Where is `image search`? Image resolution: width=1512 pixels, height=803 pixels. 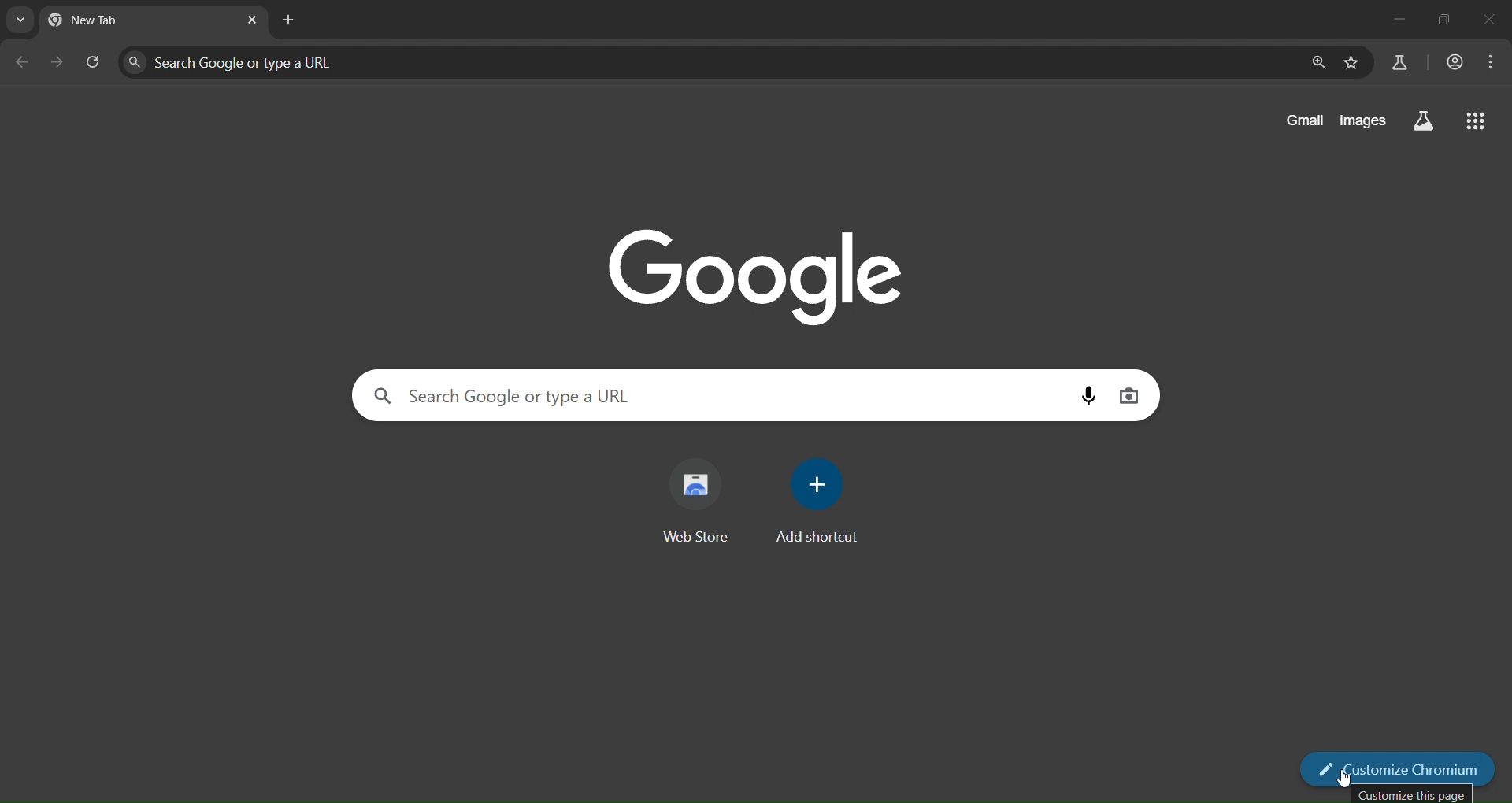
image search is located at coordinates (1128, 394).